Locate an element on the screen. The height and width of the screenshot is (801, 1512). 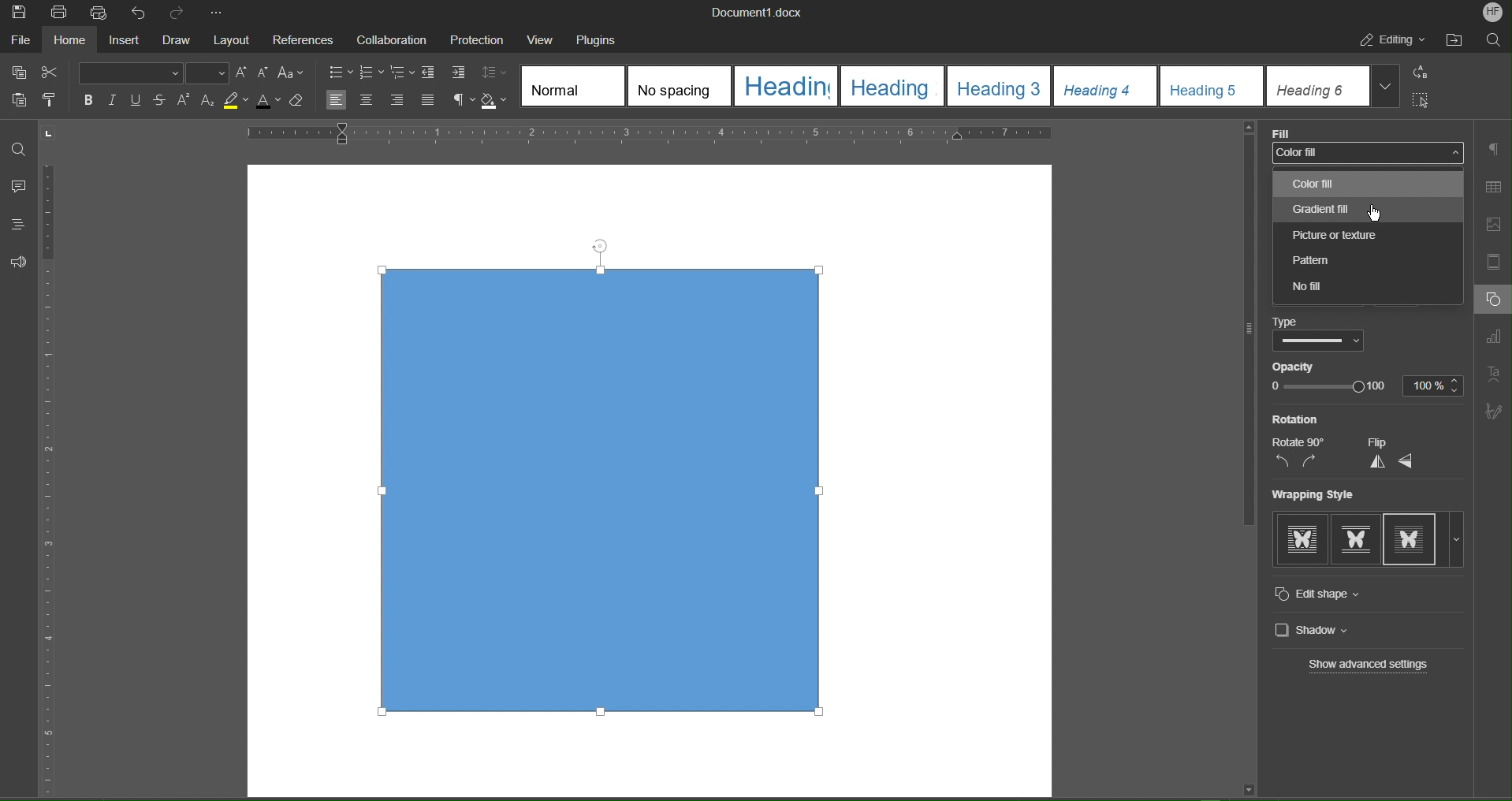
Heading 1 is located at coordinates (785, 84).